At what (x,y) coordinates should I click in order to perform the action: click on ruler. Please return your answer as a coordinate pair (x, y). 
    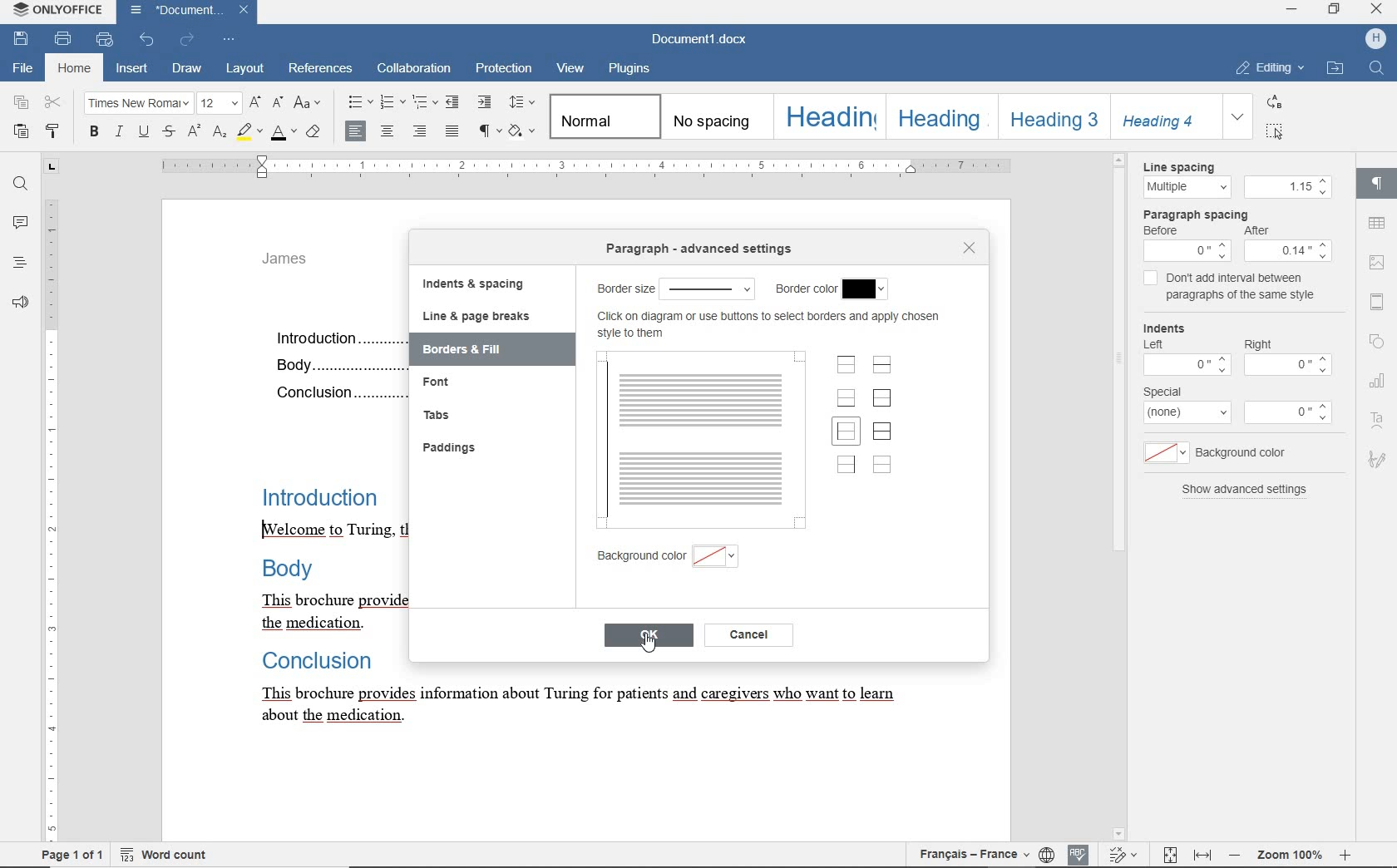
    Looking at the image, I should click on (51, 499).